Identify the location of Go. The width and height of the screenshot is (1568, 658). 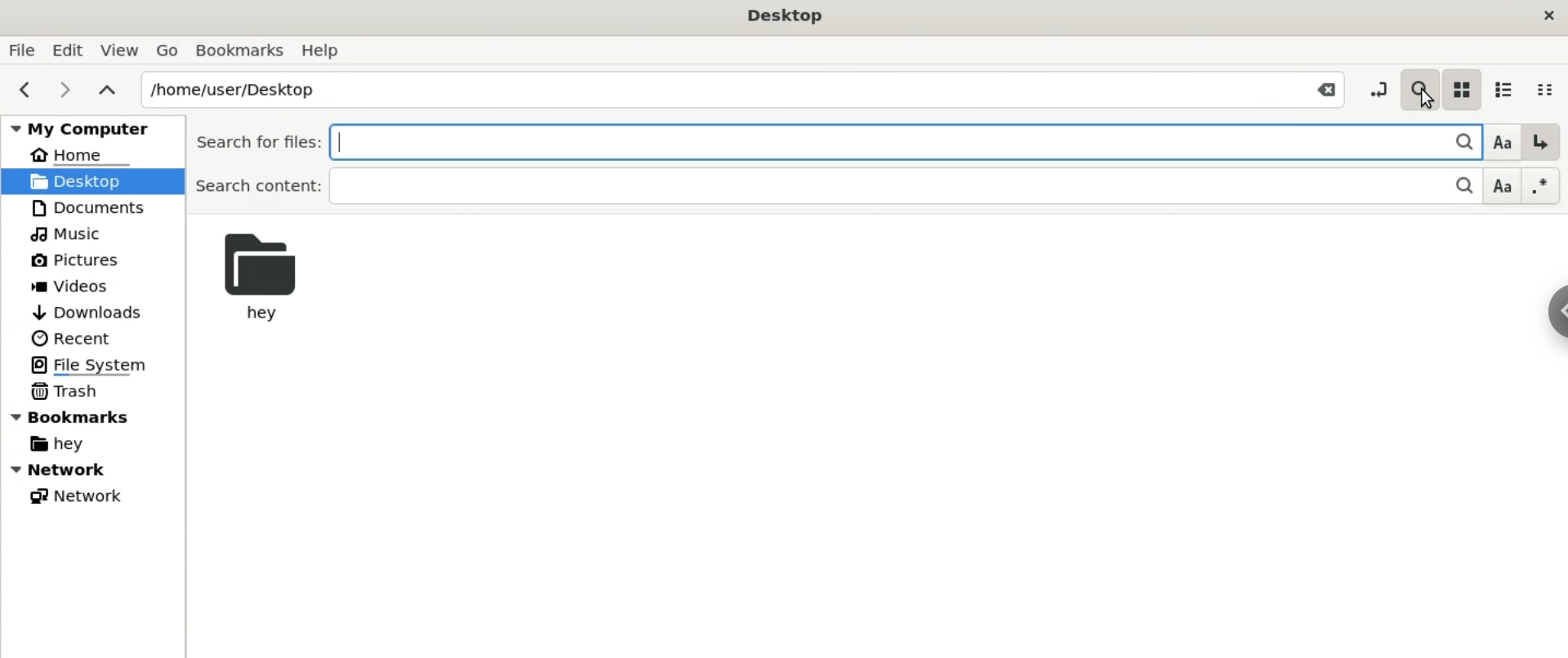
(165, 48).